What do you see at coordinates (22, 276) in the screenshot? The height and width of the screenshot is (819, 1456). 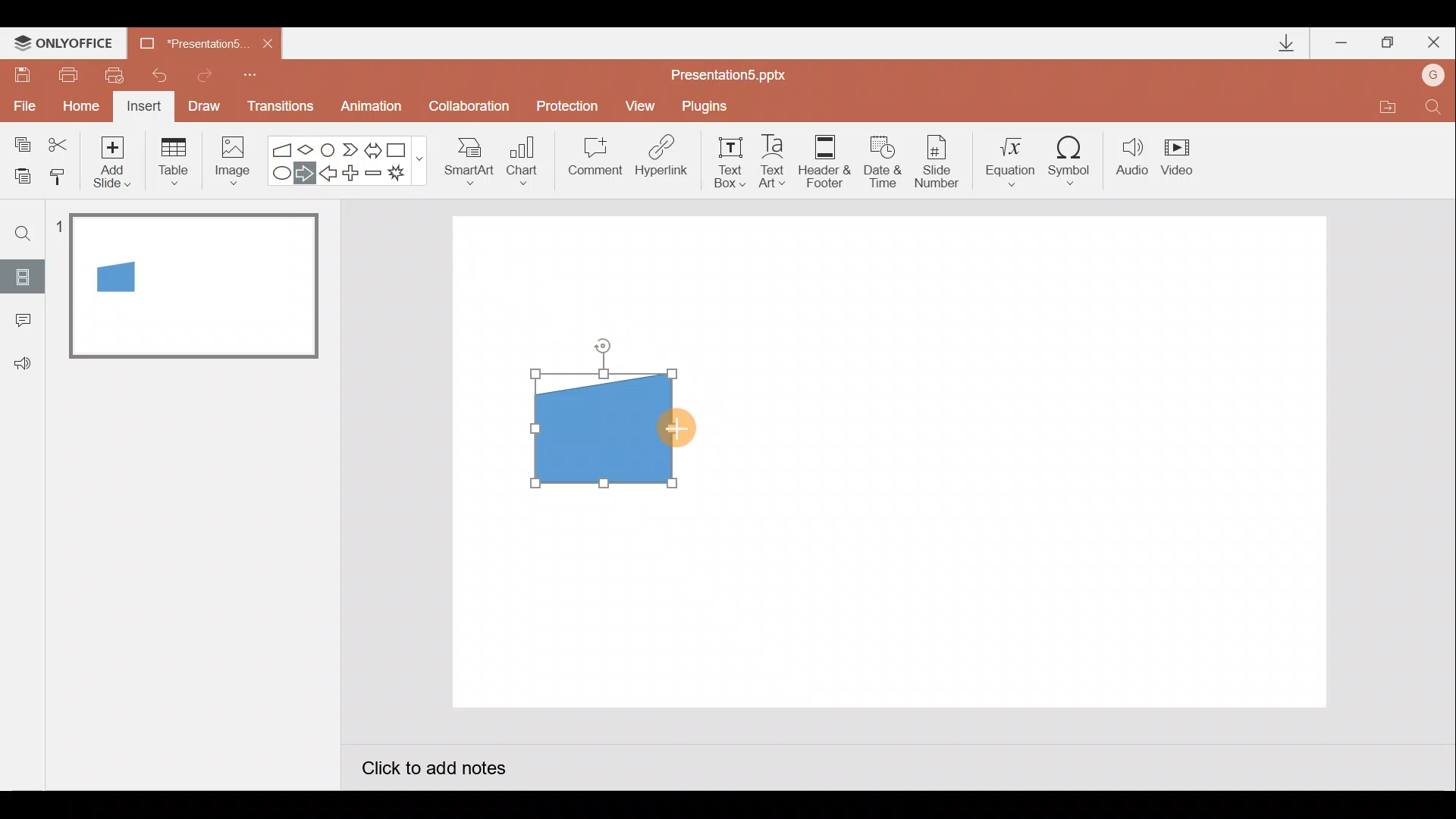 I see `Slides` at bounding box center [22, 276].